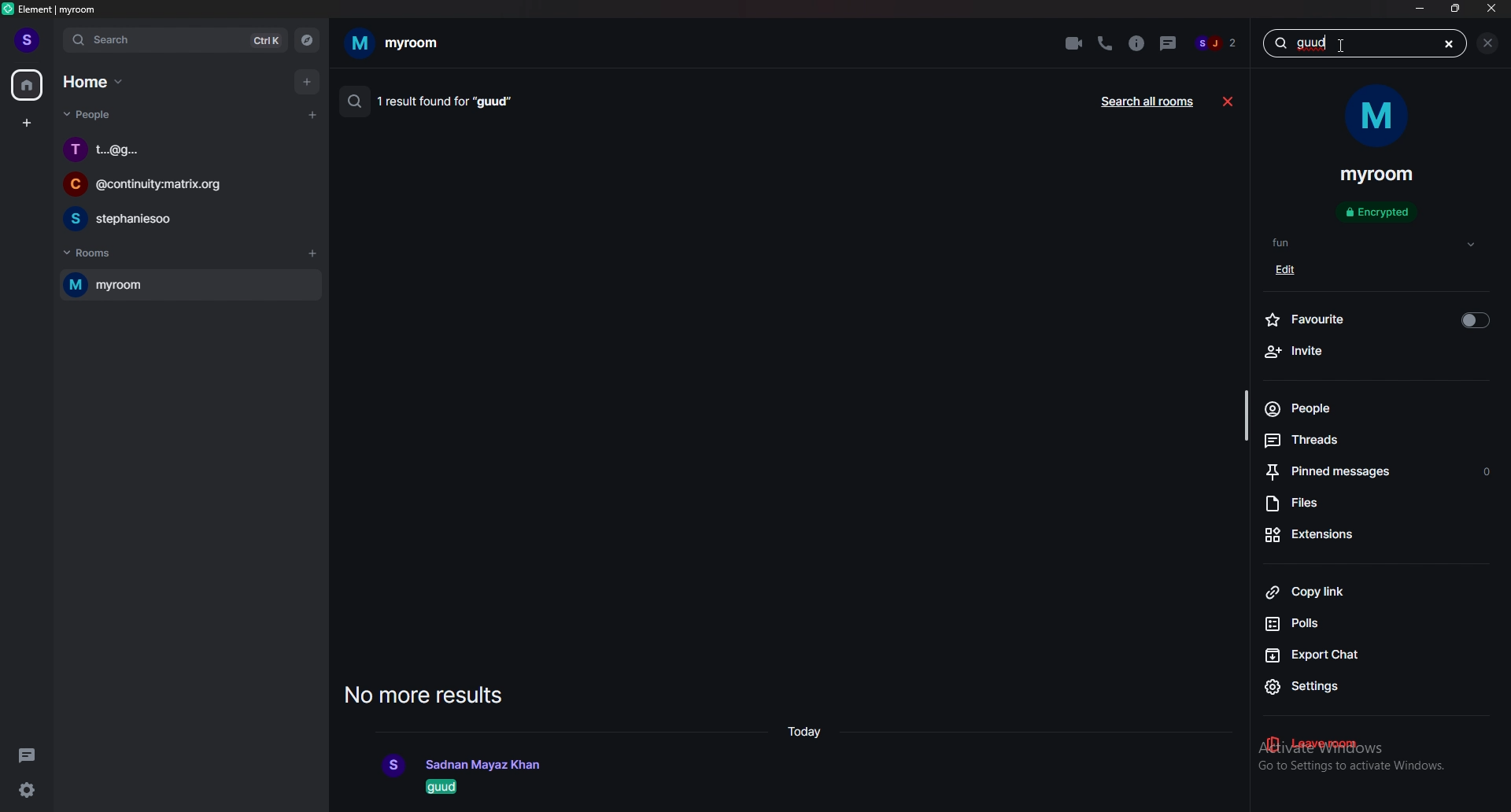 The width and height of the screenshot is (1511, 812). Describe the element at coordinates (180, 285) in the screenshot. I see `room` at that location.